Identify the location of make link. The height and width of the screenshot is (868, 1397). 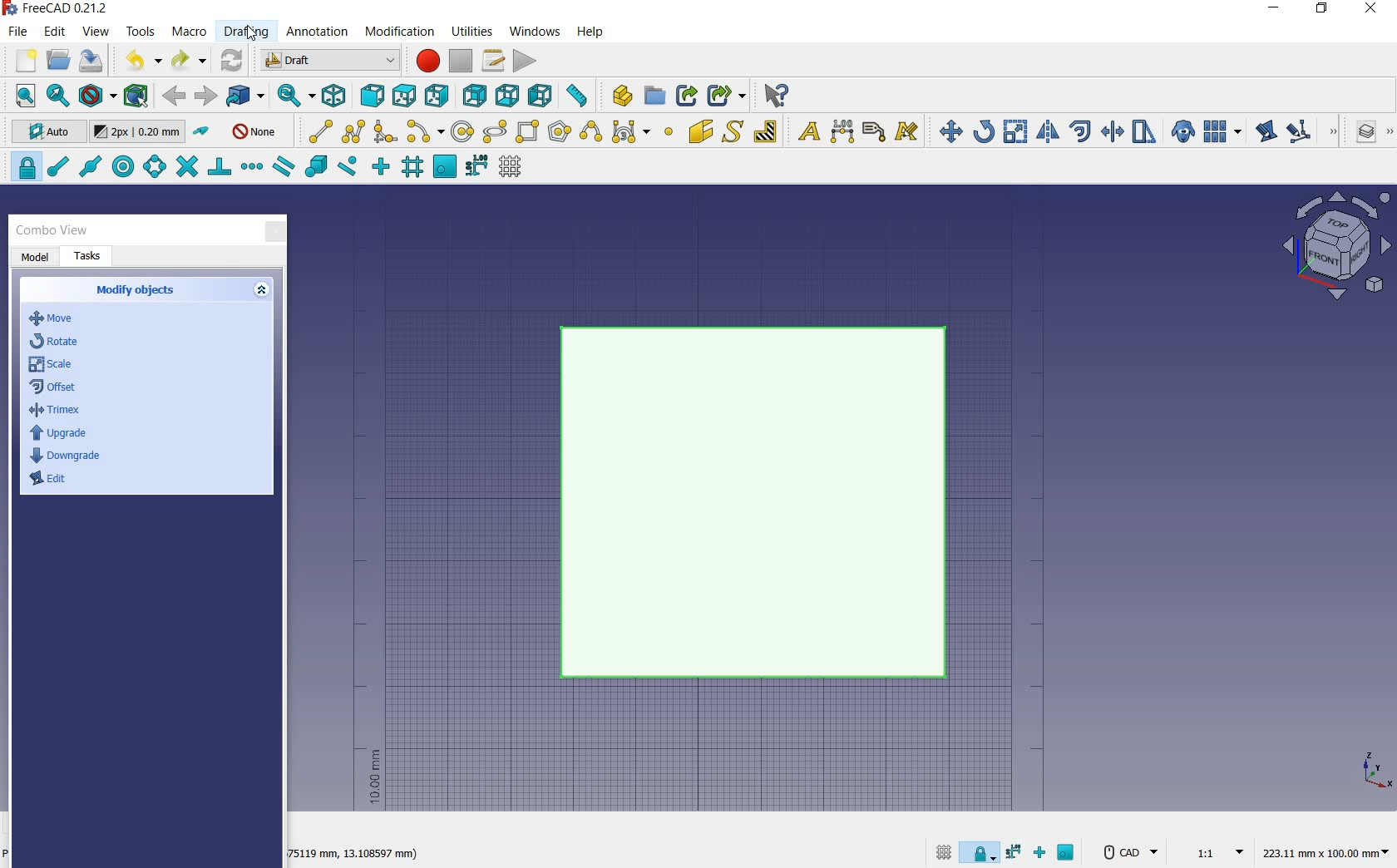
(687, 94).